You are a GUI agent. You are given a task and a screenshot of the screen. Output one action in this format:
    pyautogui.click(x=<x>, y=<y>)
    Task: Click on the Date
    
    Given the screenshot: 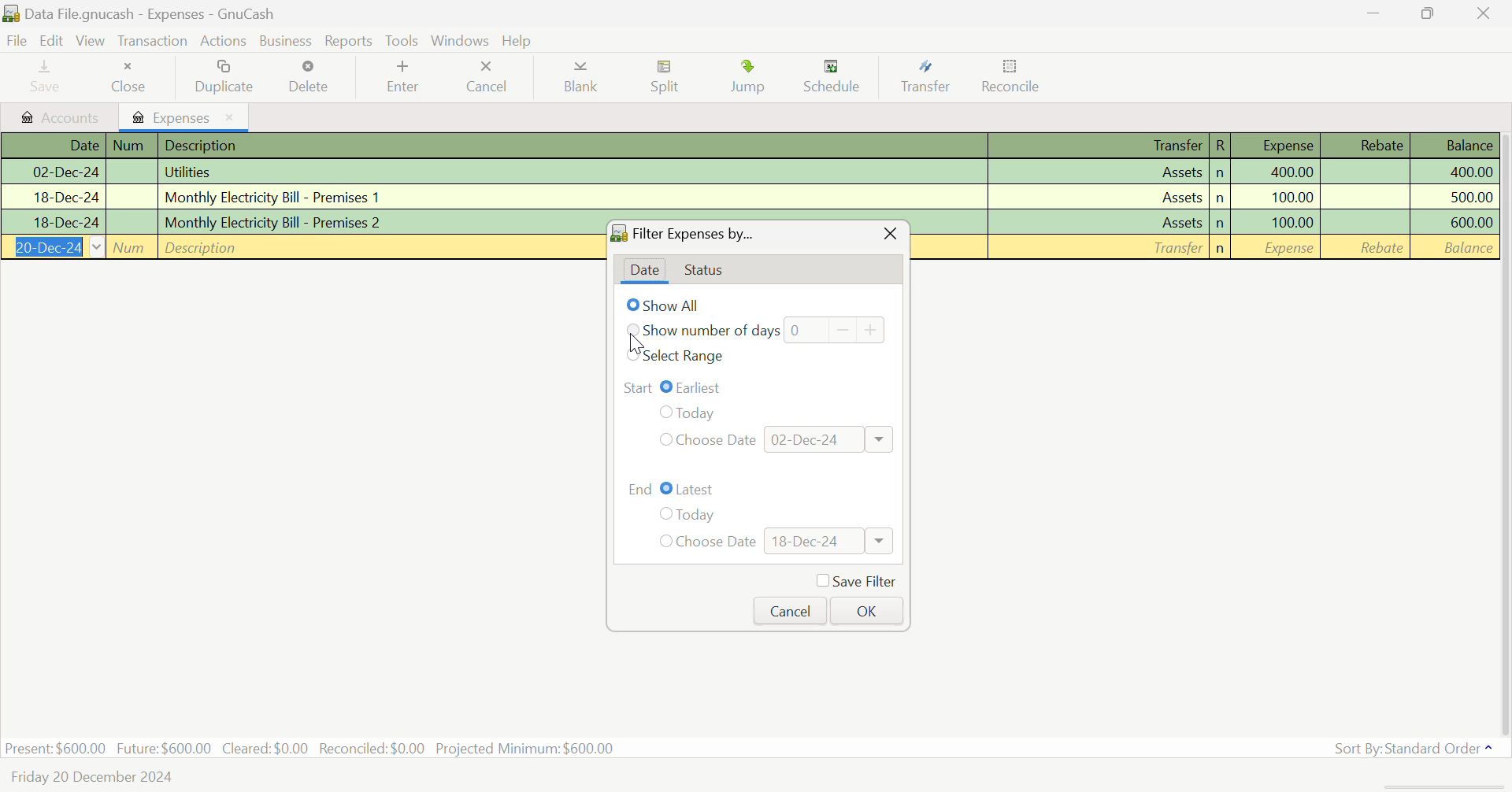 What is the action you would take?
    pyautogui.click(x=51, y=222)
    